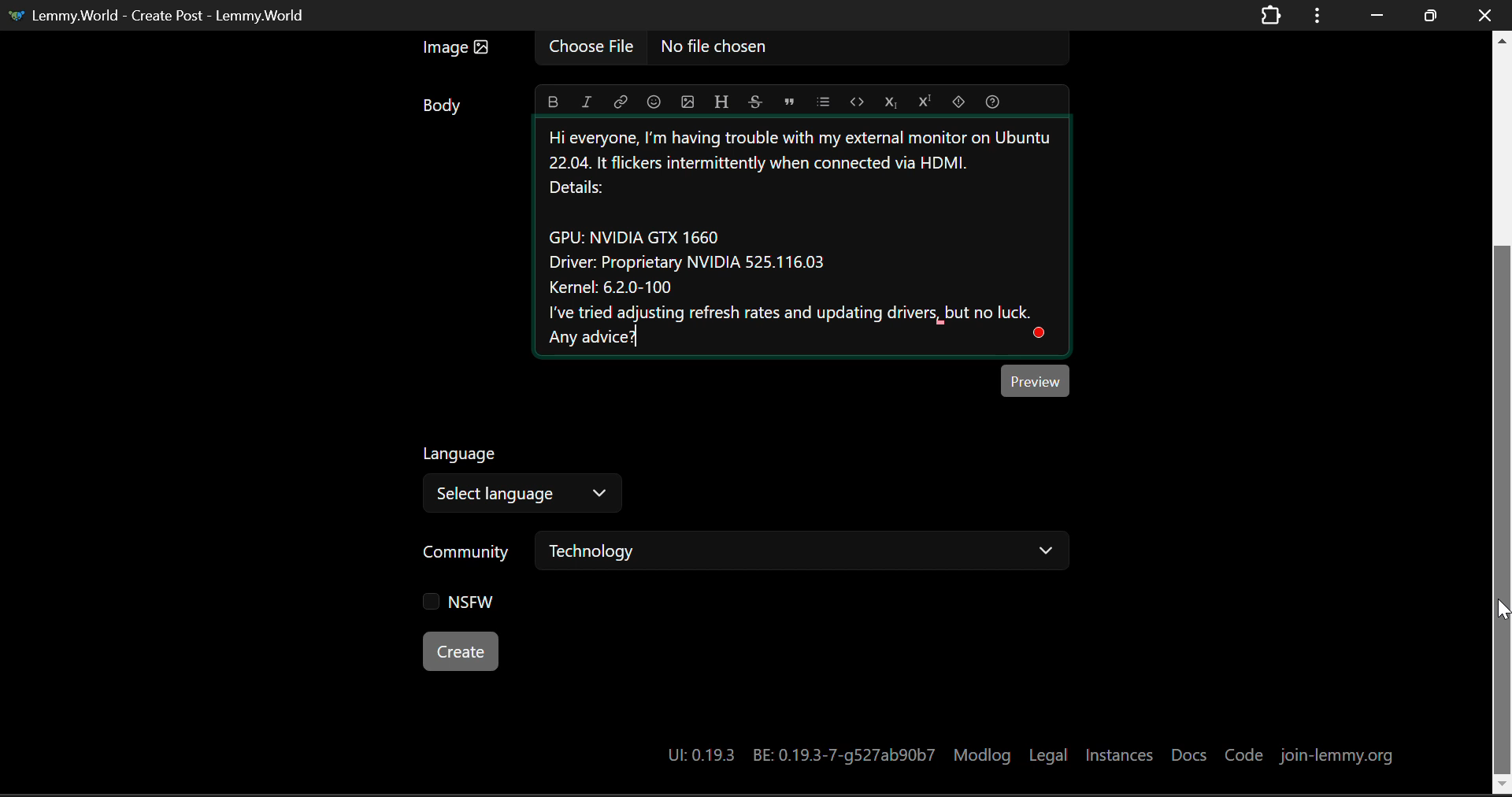 This screenshot has width=1512, height=797. I want to click on Subscript, so click(890, 99).